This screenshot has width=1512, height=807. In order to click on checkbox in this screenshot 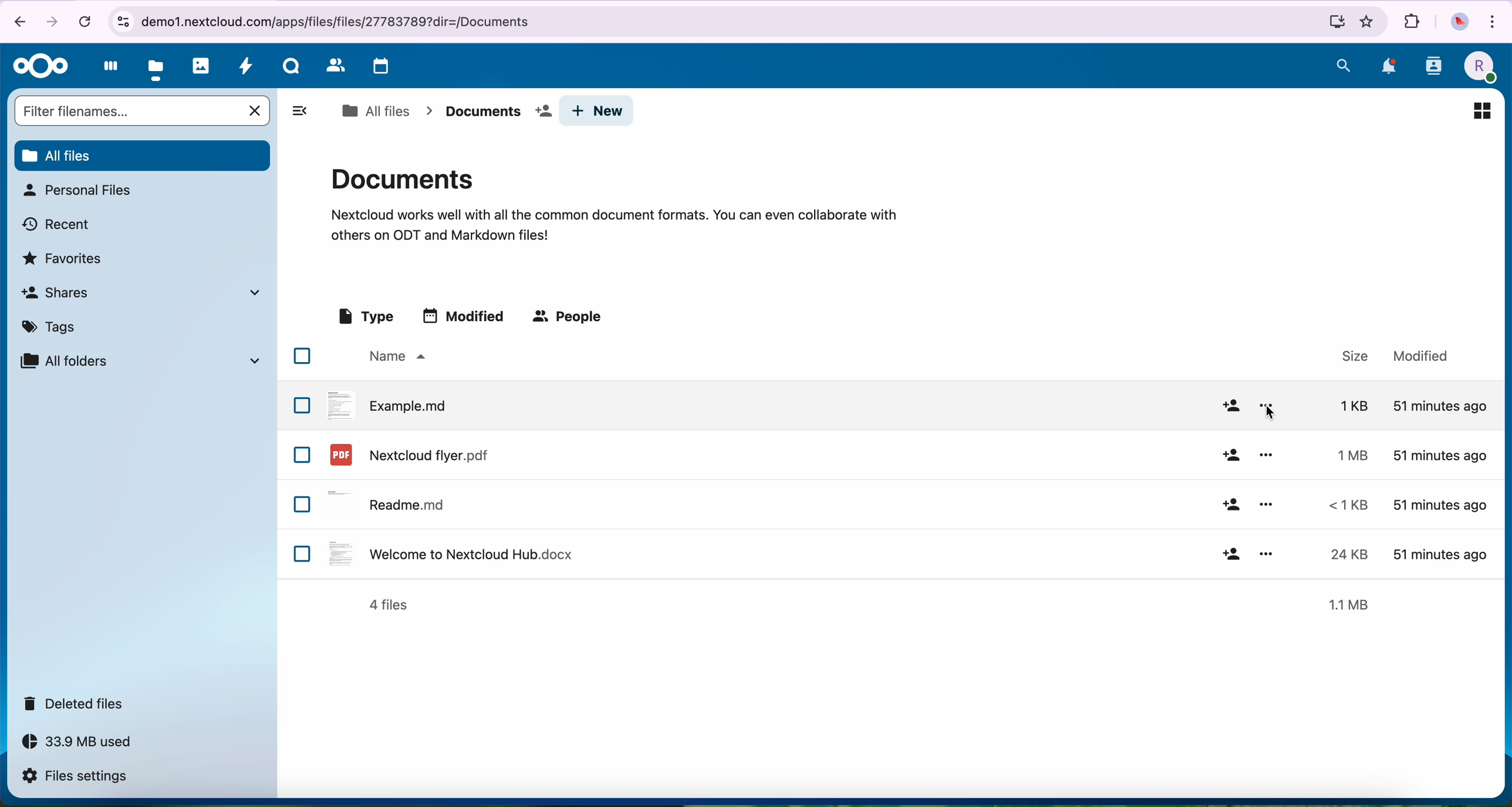, I will do `click(303, 505)`.